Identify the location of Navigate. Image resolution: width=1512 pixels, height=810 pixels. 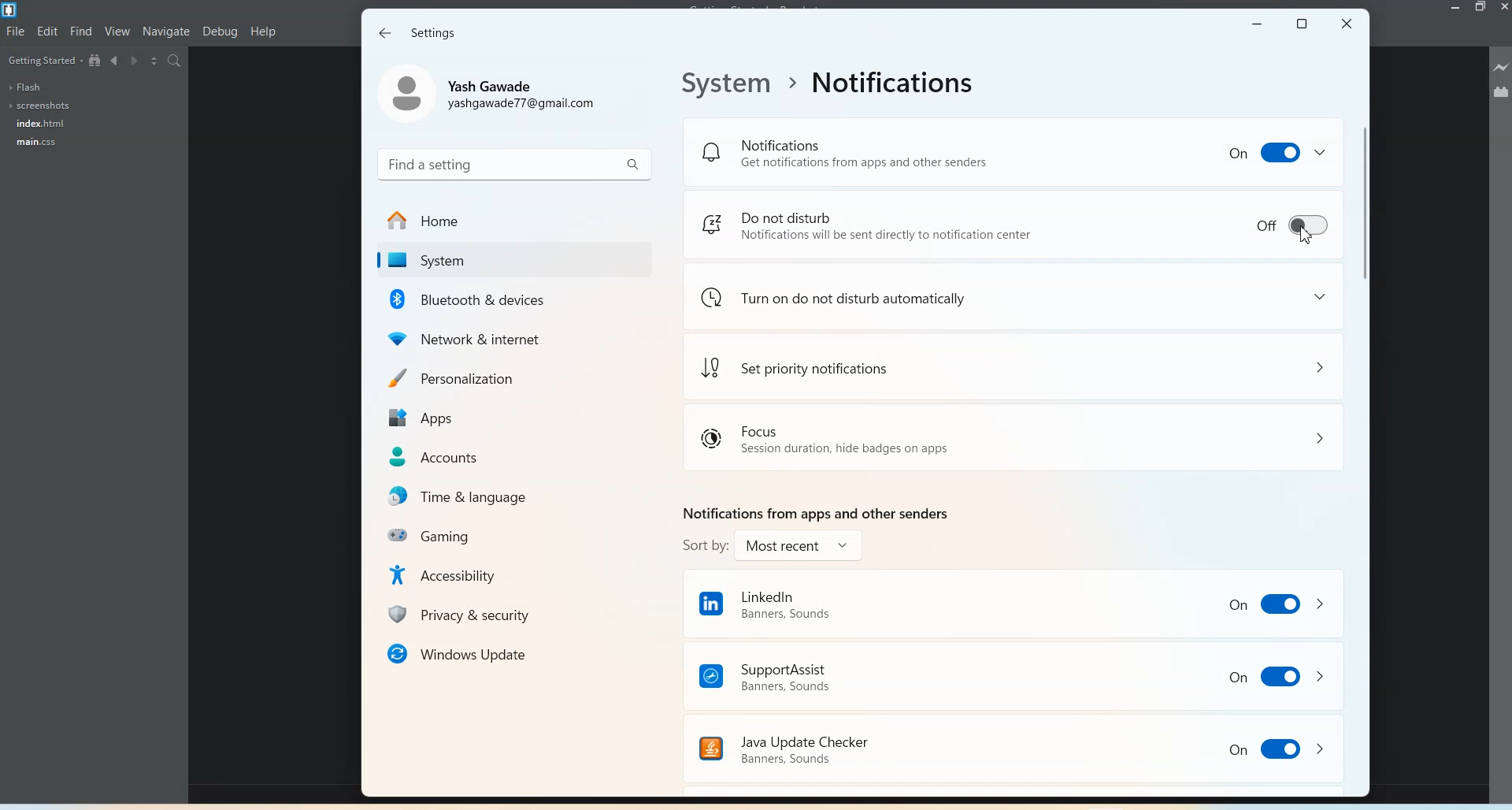
(166, 32).